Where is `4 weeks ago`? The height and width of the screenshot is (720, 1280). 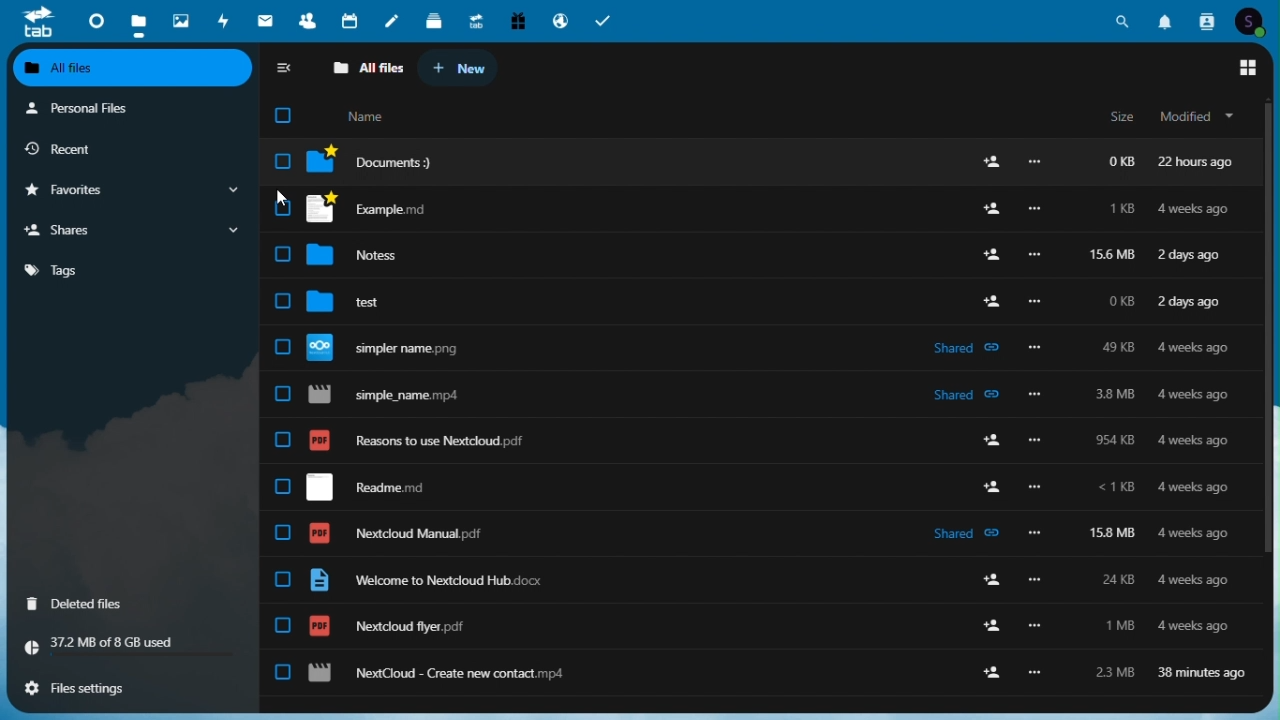 4 weeks ago is located at coordinates (1198, 580).